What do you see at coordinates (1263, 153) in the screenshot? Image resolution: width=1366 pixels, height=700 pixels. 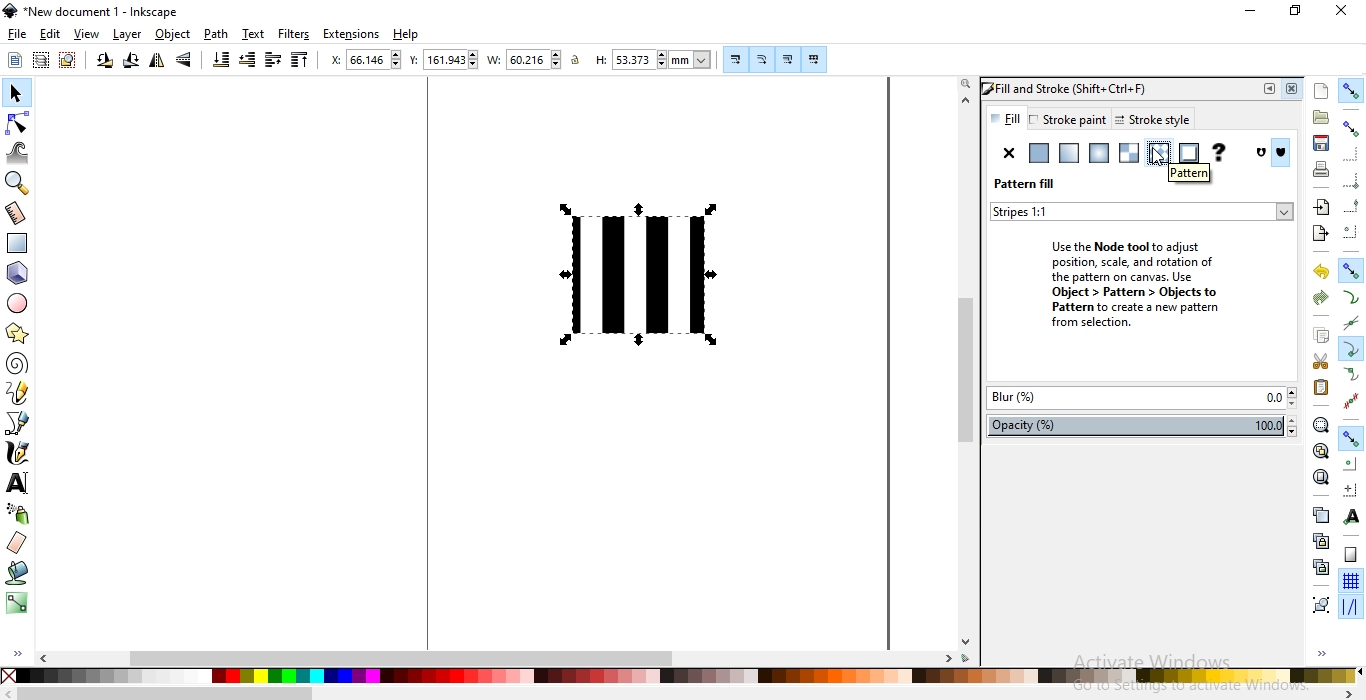 I see `icon` at bounding box center [1263, 153].